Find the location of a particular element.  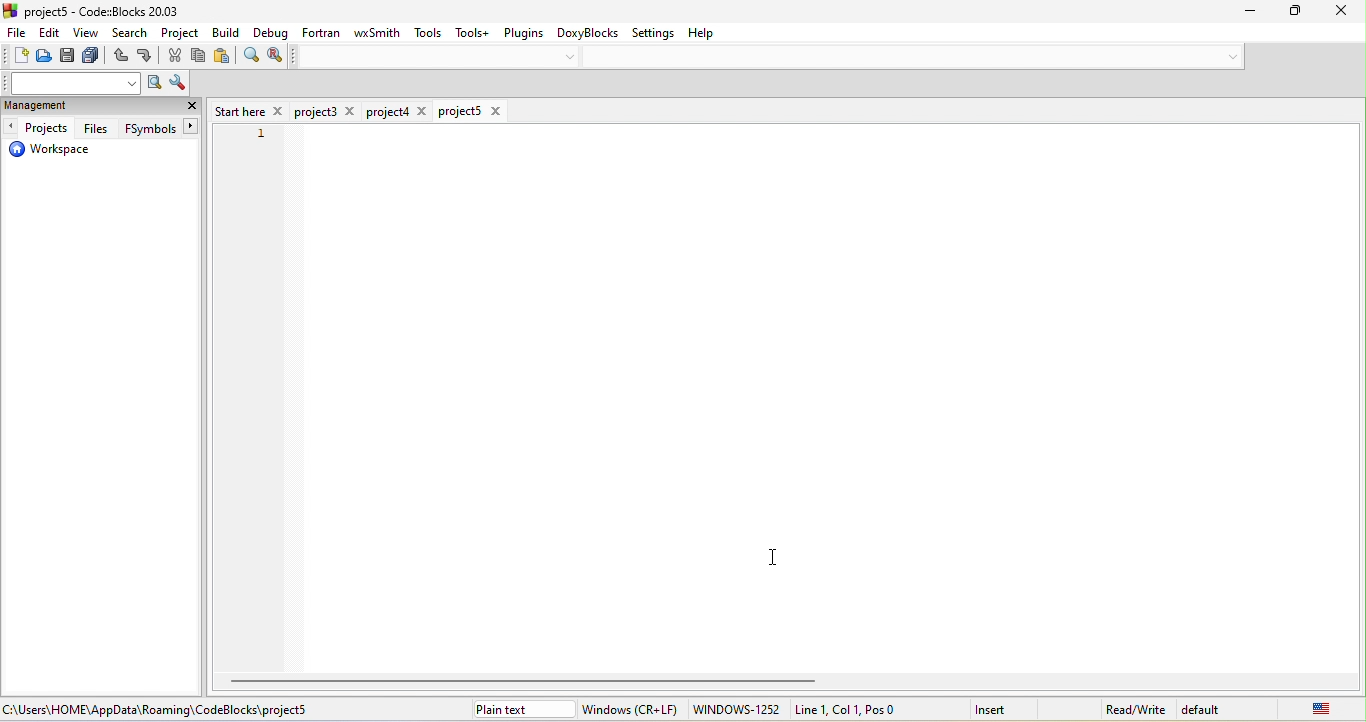

run search is located at coordinates (154, 84).